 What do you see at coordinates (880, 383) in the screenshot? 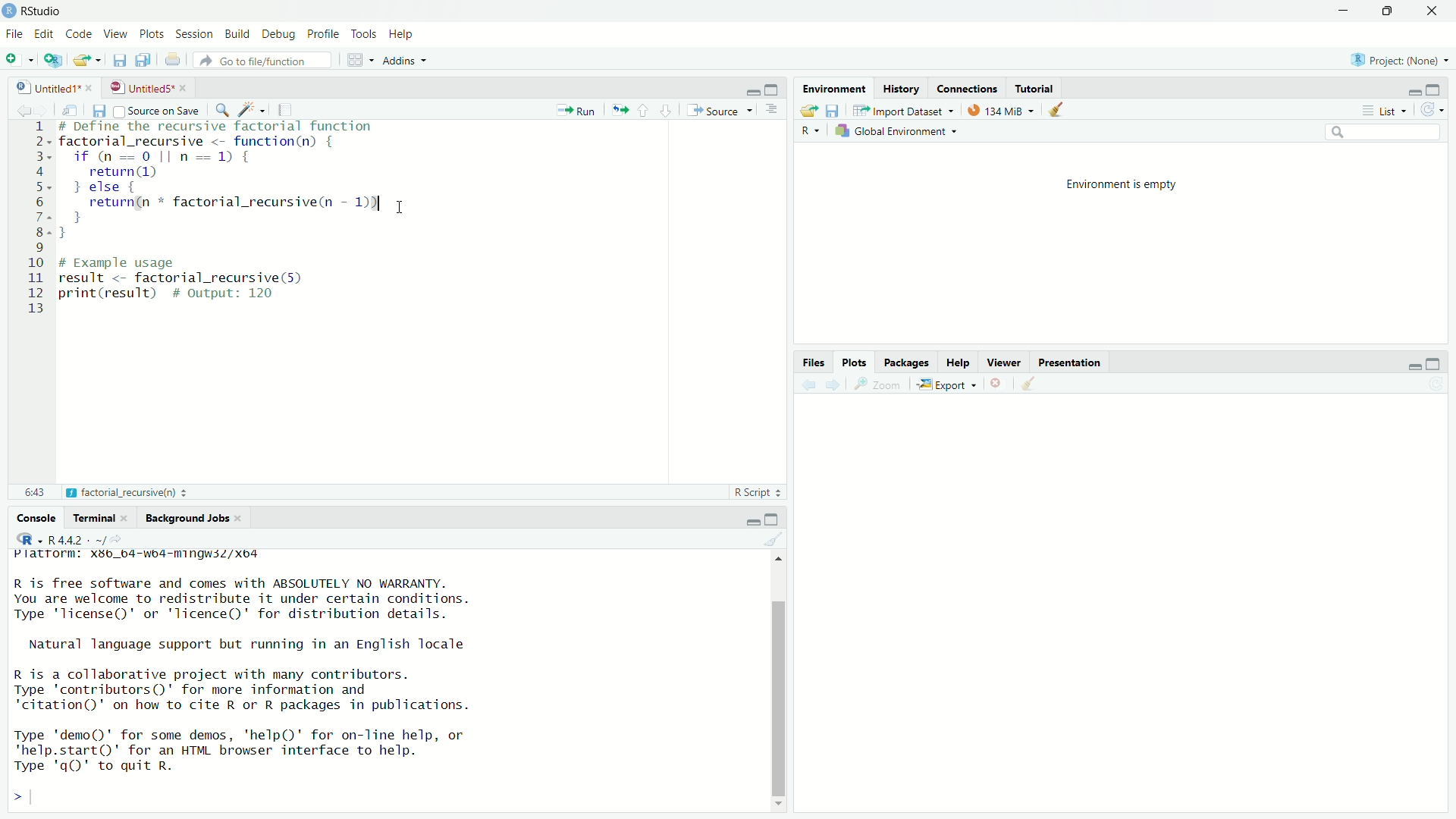
I see `Zoom` at bounding box center [880, 383].